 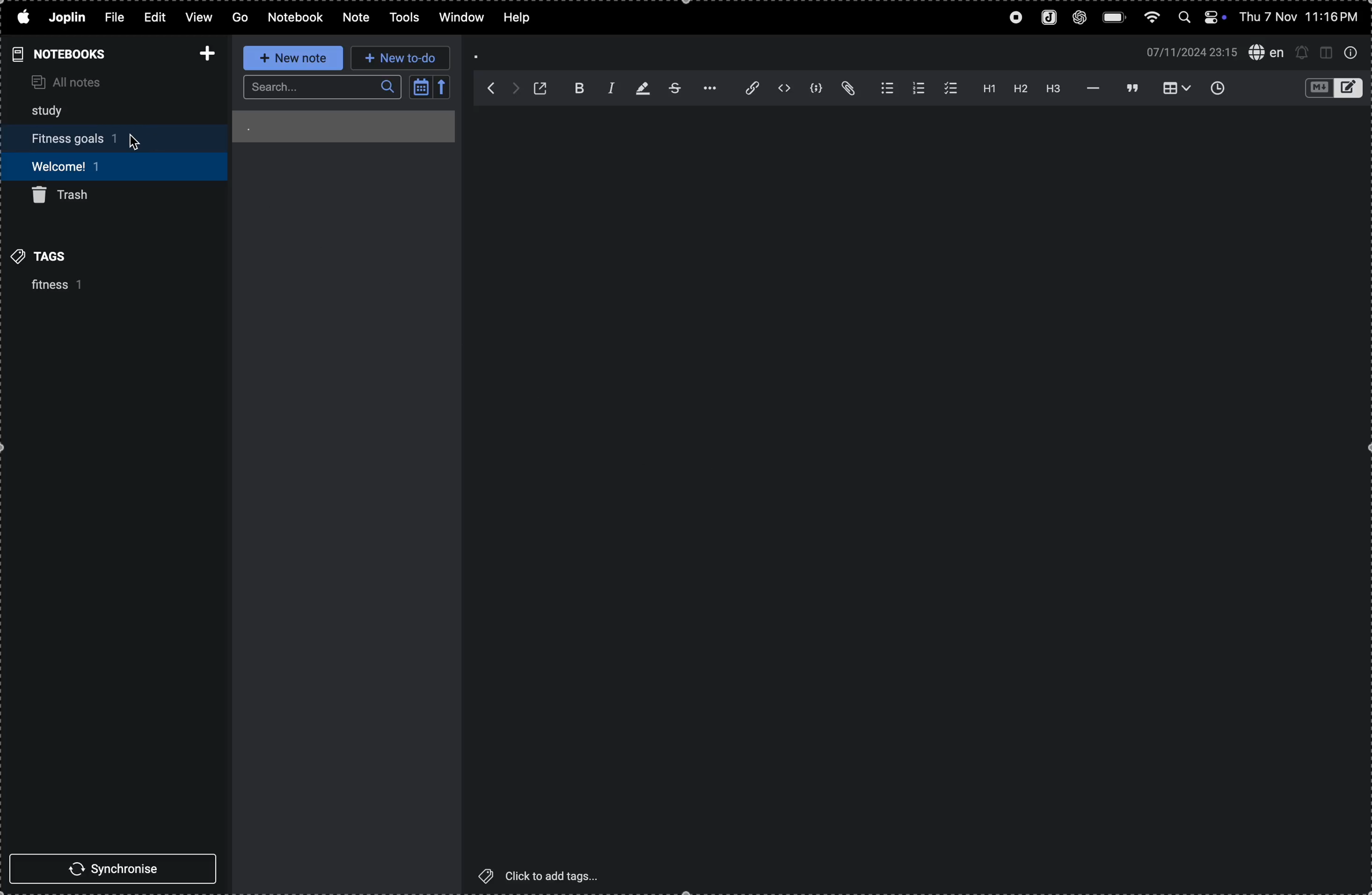 I want to click on fitness goals 1, so click(x=84, y=136).